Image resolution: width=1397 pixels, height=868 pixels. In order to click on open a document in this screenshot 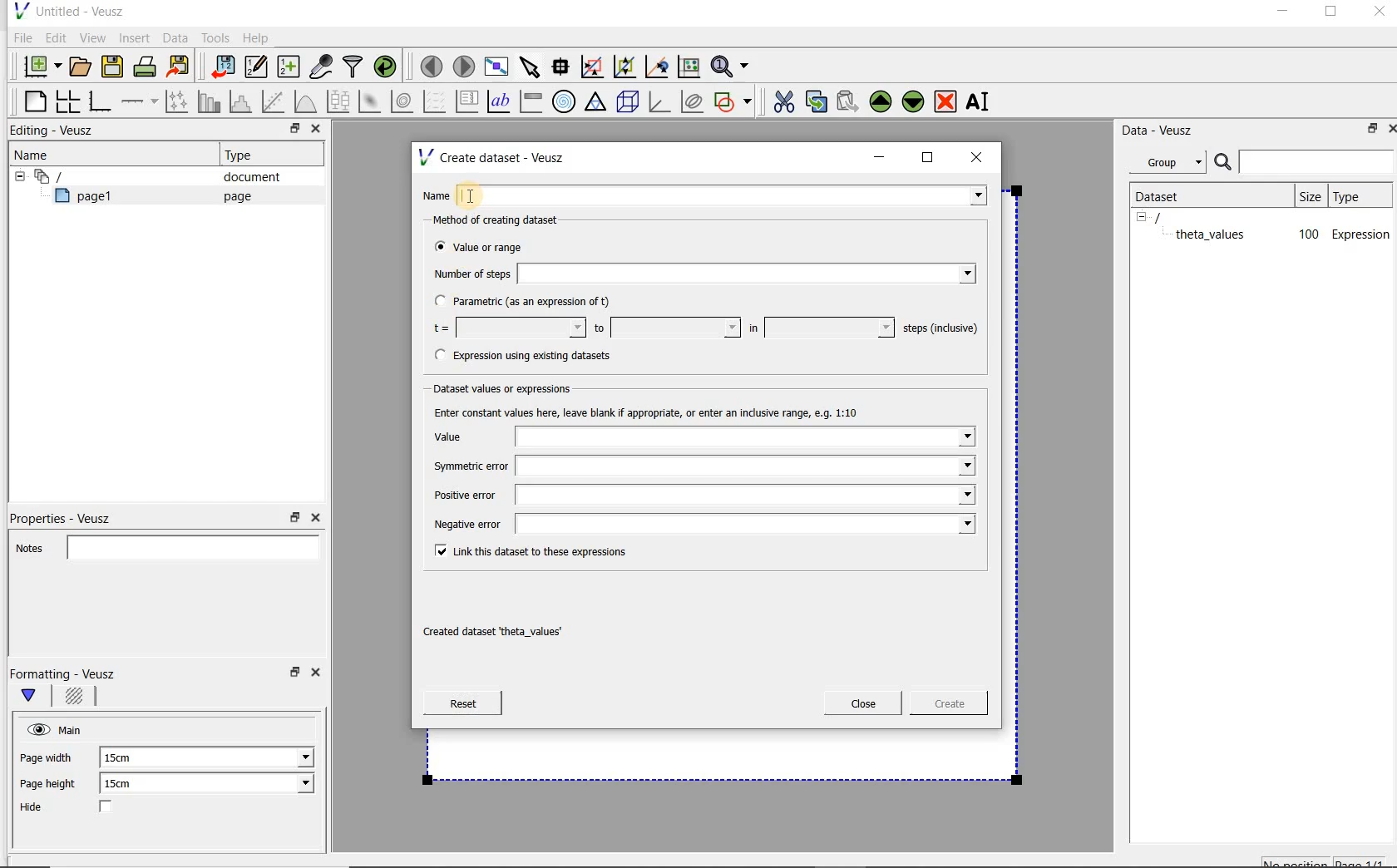, I will do `click(82, 65)`.